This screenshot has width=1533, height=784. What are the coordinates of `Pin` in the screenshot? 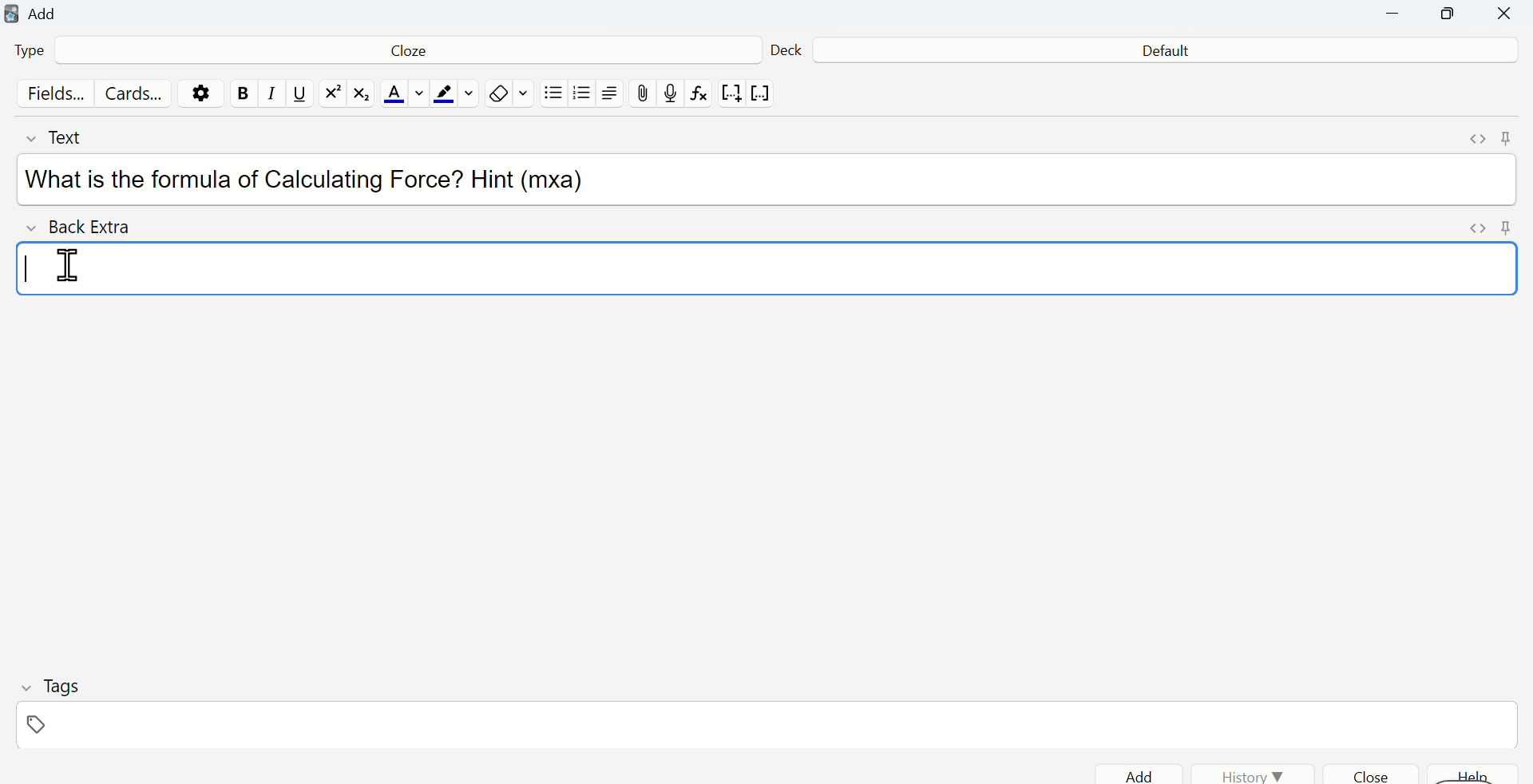 It's located at (1507, 137).